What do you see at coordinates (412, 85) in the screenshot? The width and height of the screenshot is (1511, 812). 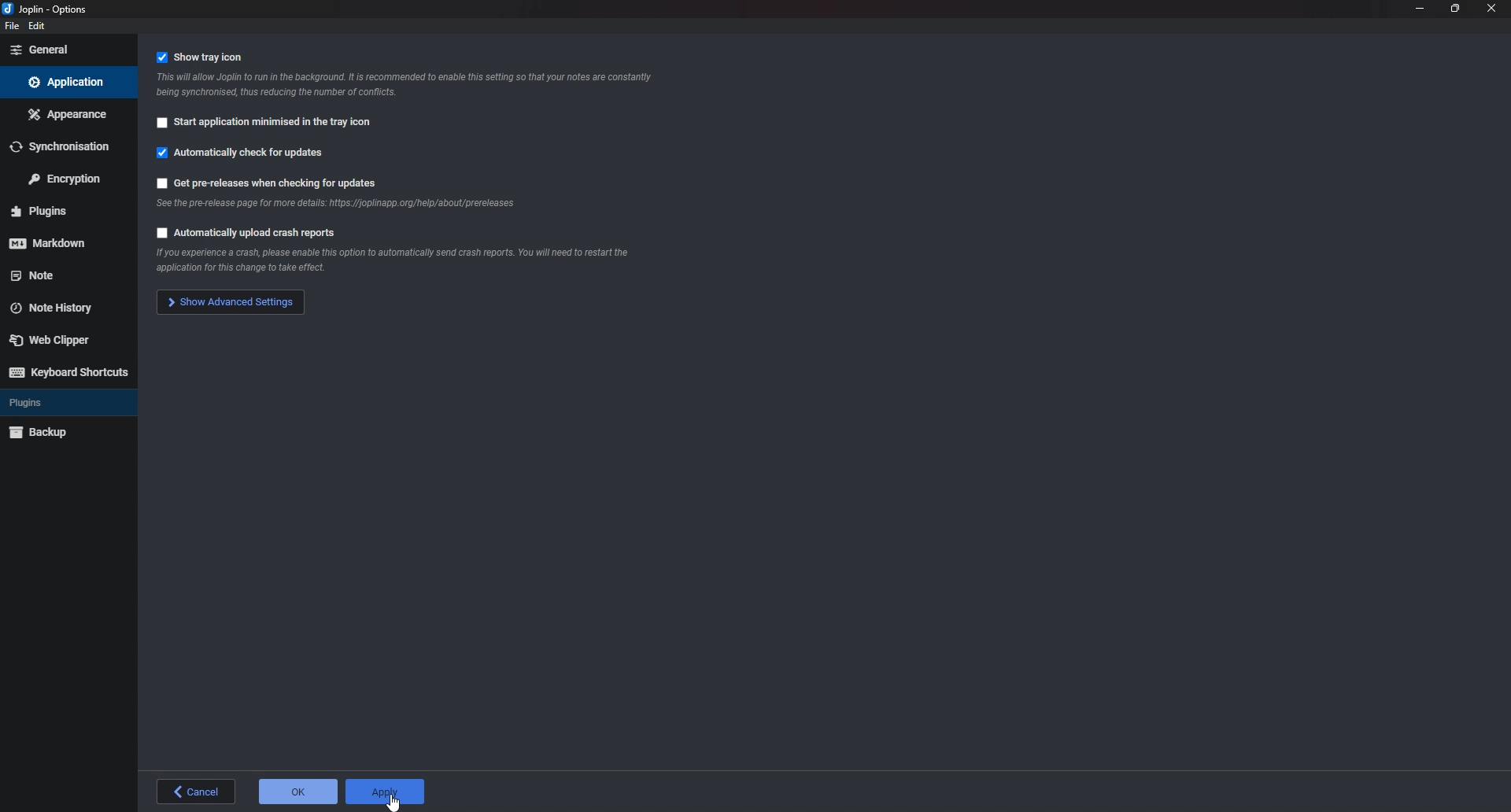 I see `info` at bounding box center [412, 85].